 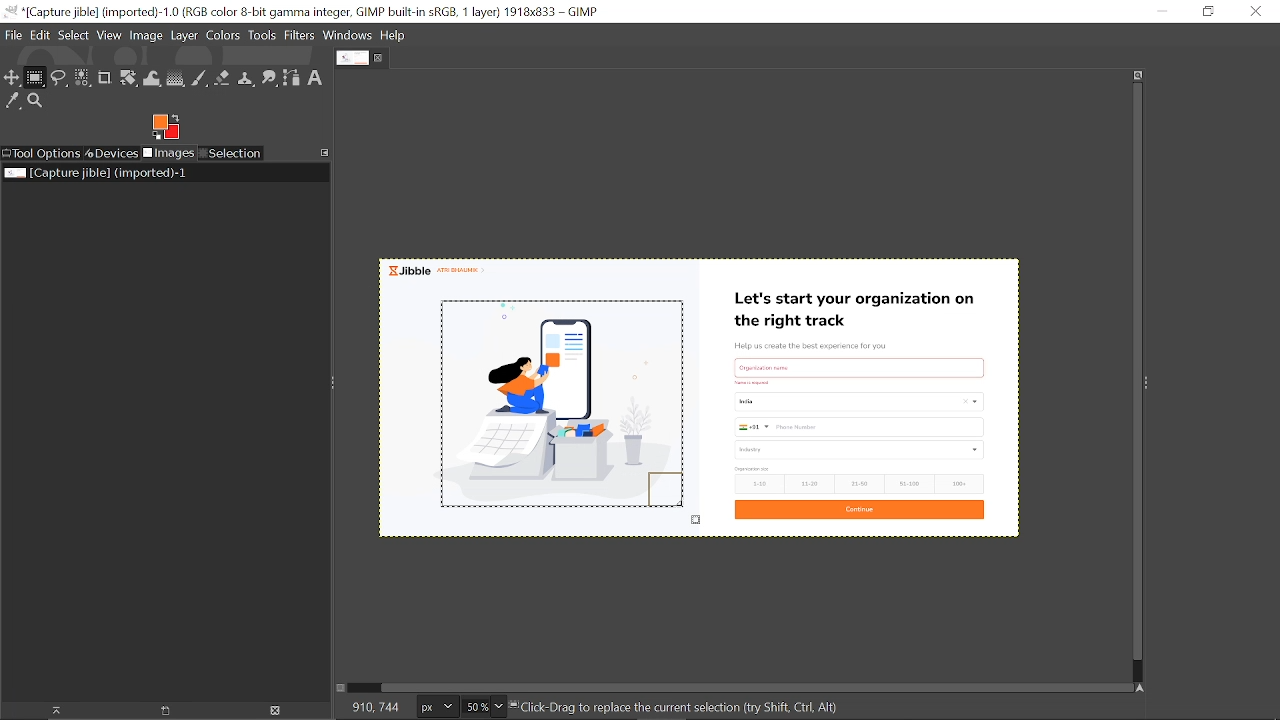 I want to click on Create new display for this image, so click(x=162, y=710).